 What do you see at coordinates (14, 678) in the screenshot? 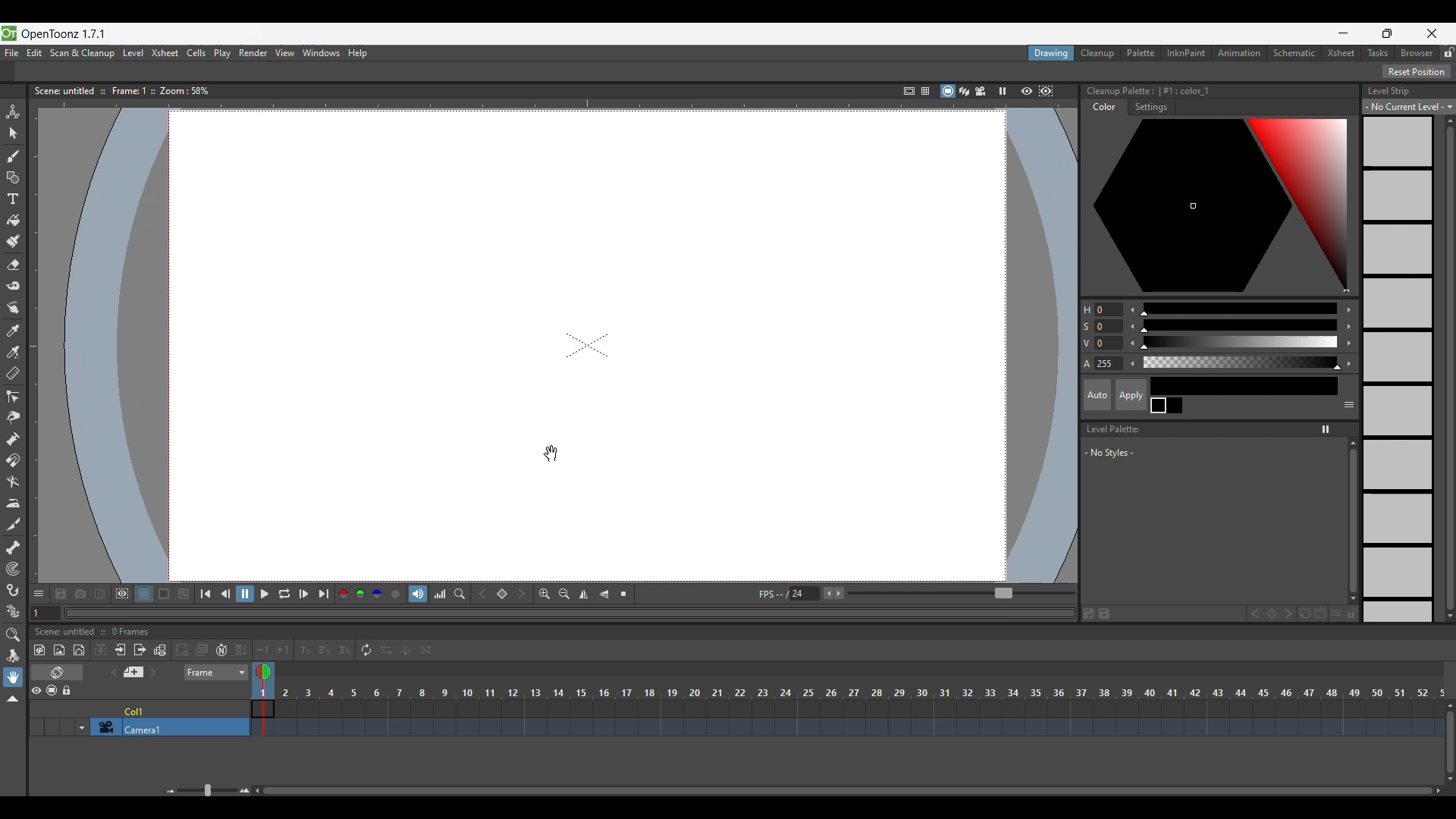
I see `Hand tool` at bounding box center [14, 678].